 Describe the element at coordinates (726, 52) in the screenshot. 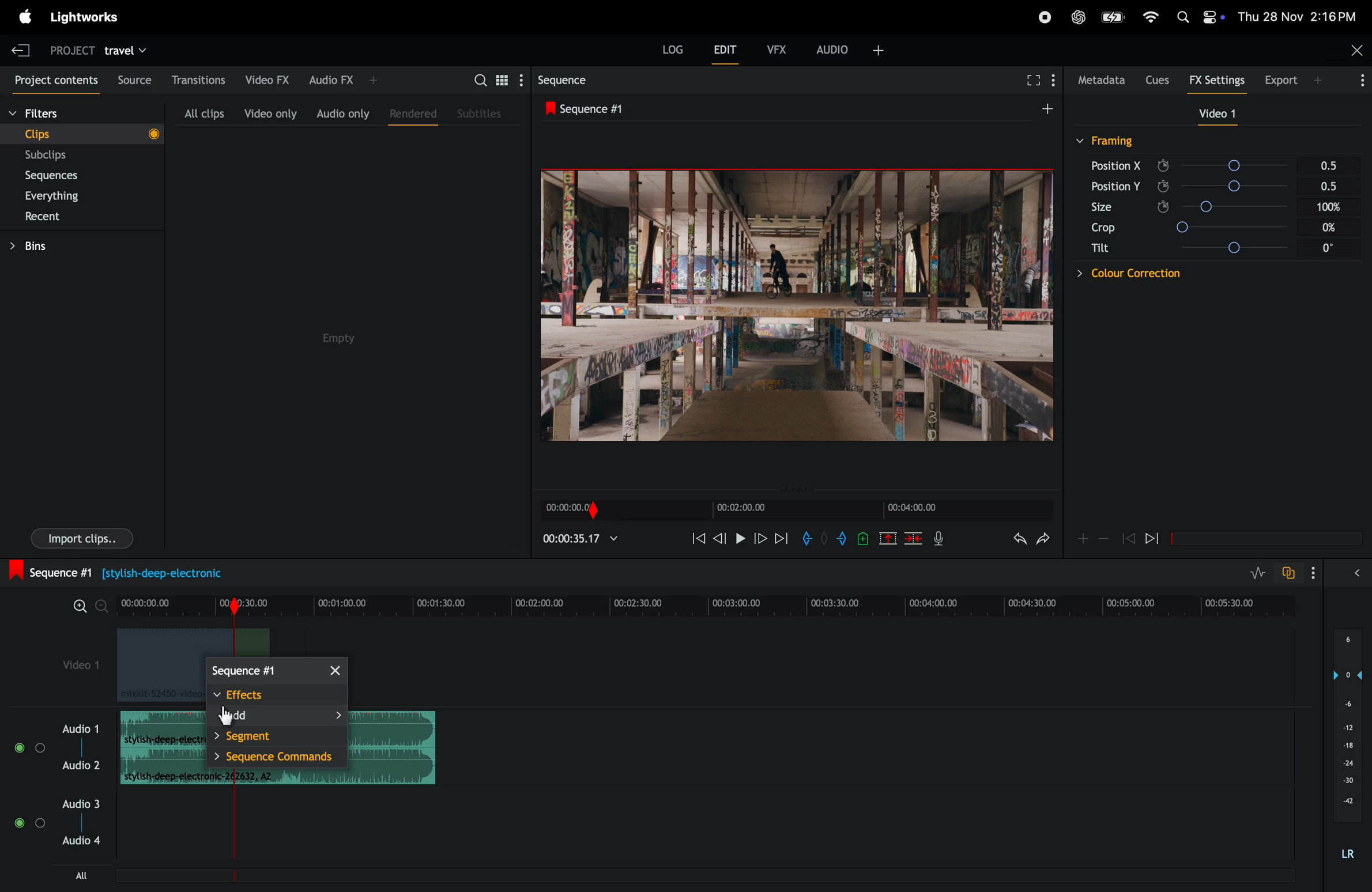

I see `edit` at that location.